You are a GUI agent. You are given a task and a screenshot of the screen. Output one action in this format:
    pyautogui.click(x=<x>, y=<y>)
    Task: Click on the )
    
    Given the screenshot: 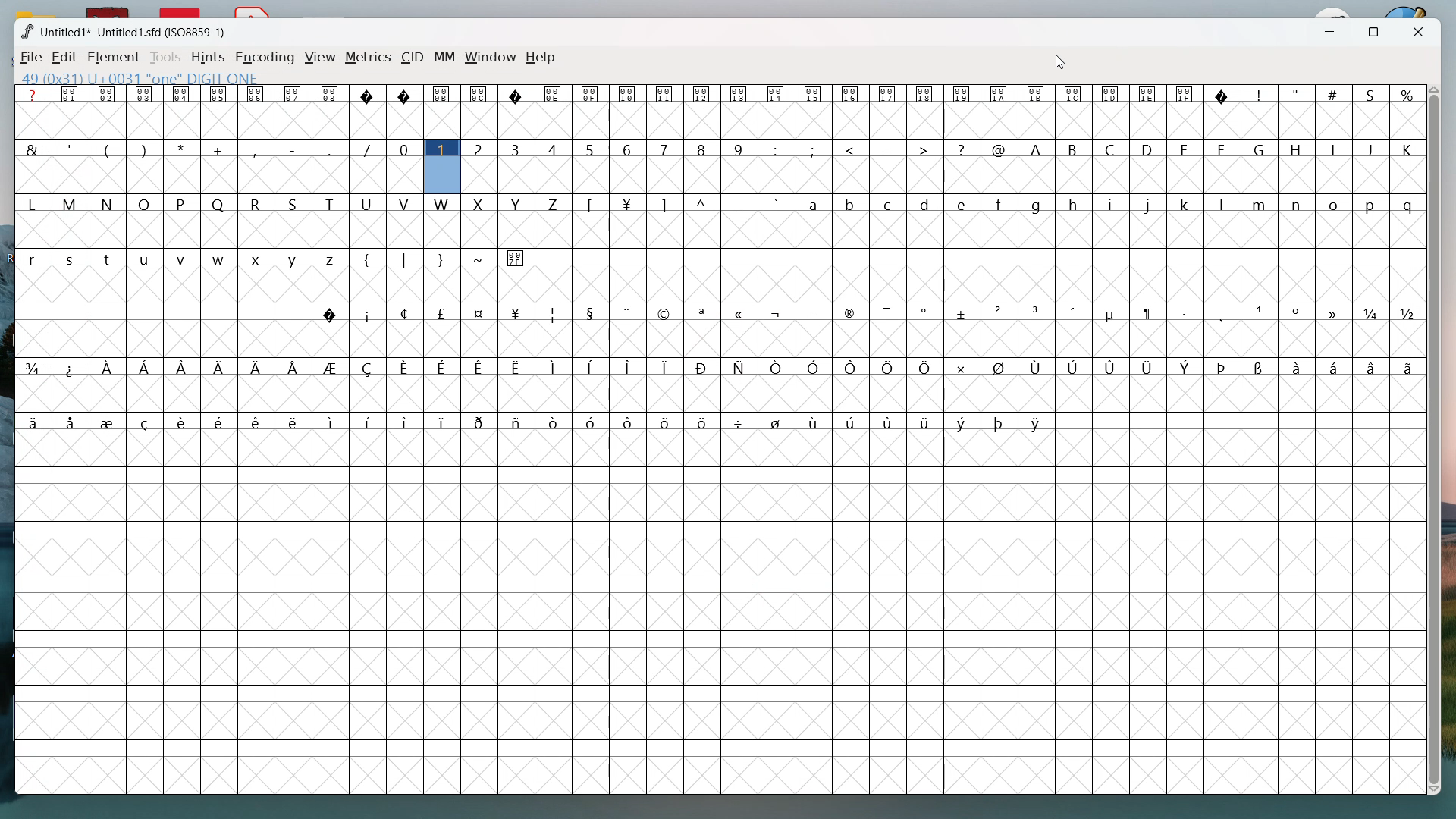 What is the action you would take?
    pyautogui.click(x=146, y=149)
    